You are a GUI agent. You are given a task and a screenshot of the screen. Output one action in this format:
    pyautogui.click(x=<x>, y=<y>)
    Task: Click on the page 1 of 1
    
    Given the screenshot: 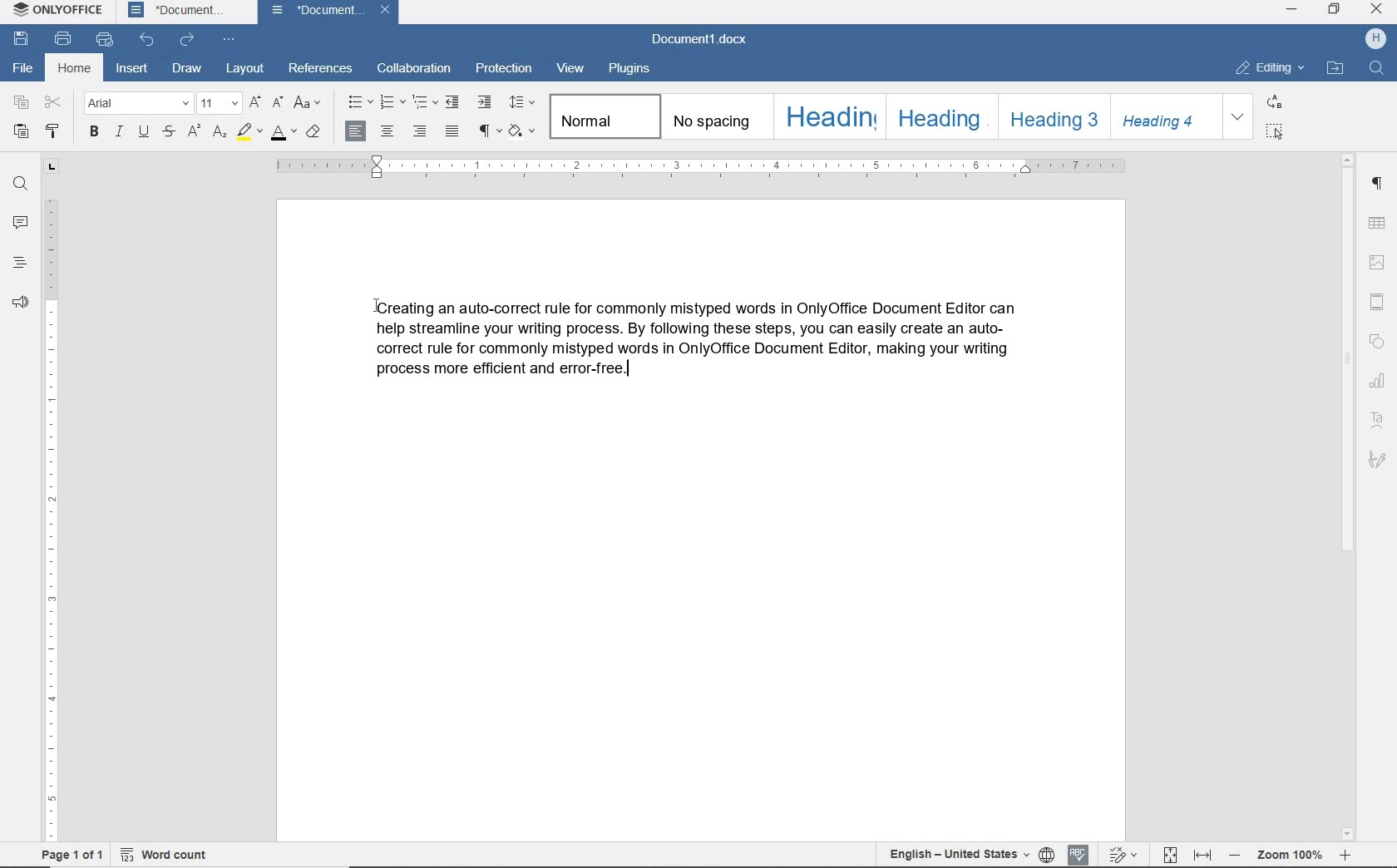 What is the action you would take?
    pyautogui.click(x=71, y=857)
    